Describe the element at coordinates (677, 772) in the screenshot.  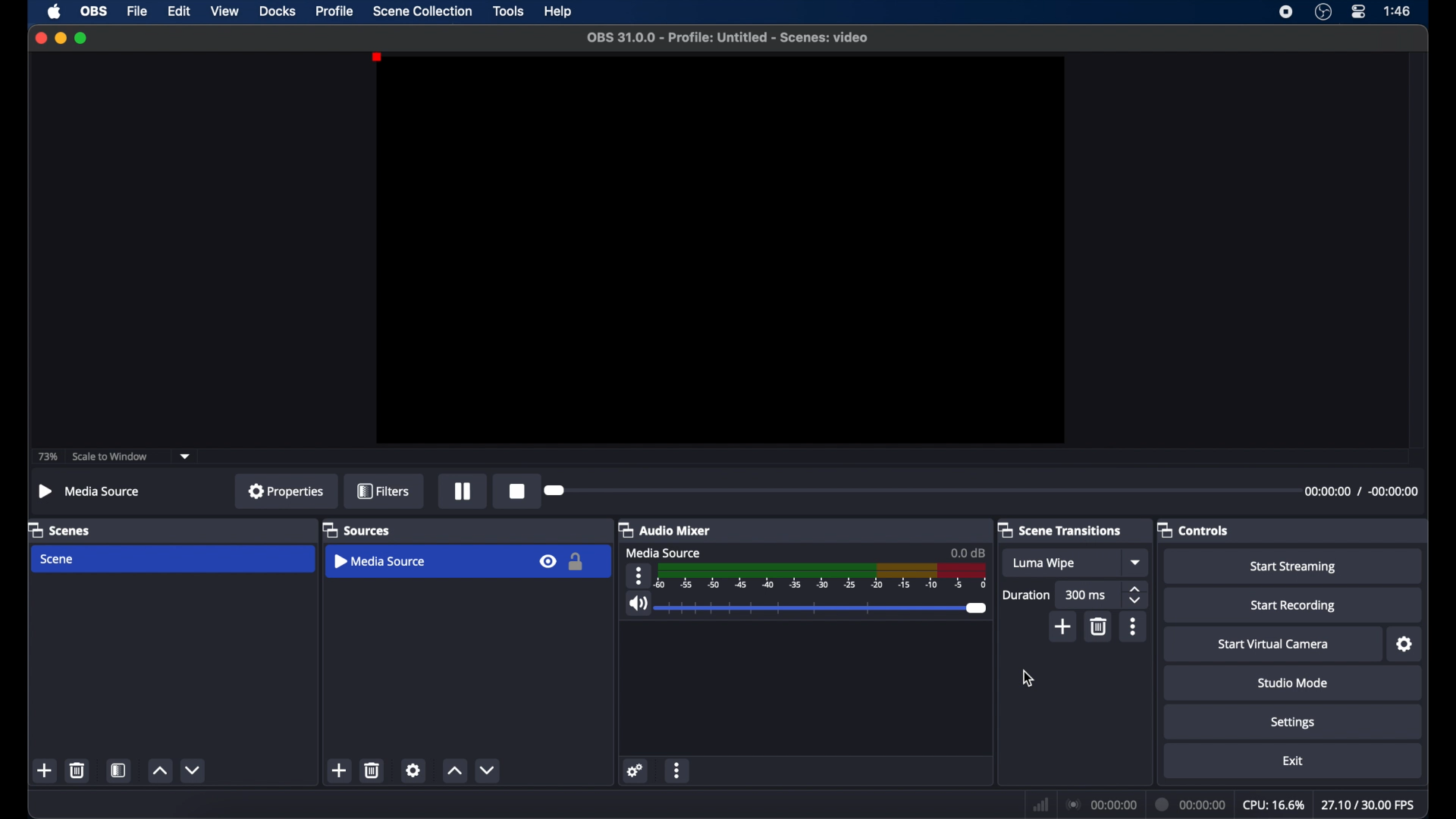
I see `more options` at that location.